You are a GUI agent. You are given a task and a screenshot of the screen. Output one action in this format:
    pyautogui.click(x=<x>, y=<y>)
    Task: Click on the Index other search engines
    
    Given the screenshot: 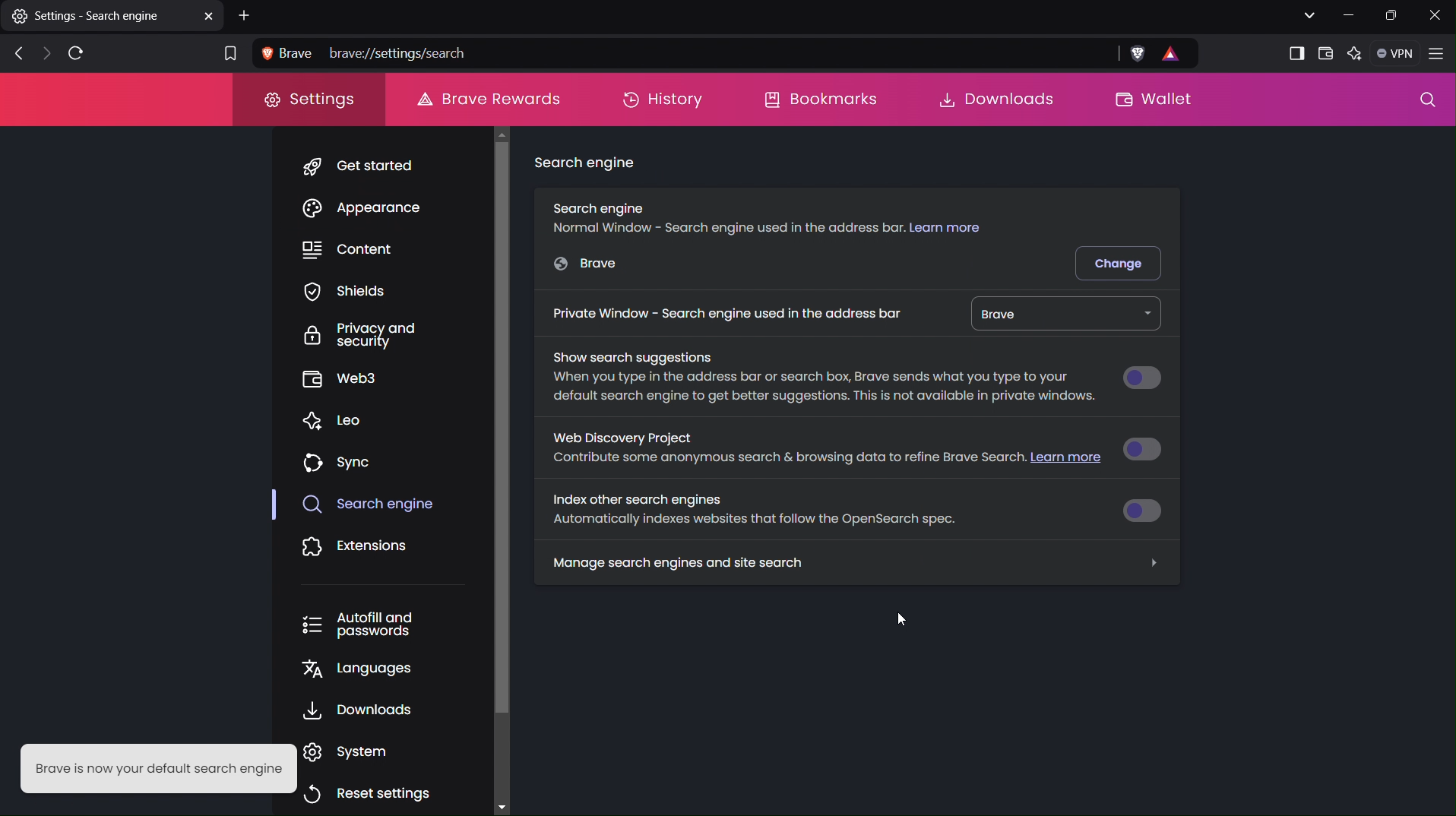 What is the action you would take?
    pyautogui.click(x=755, y=511)
    